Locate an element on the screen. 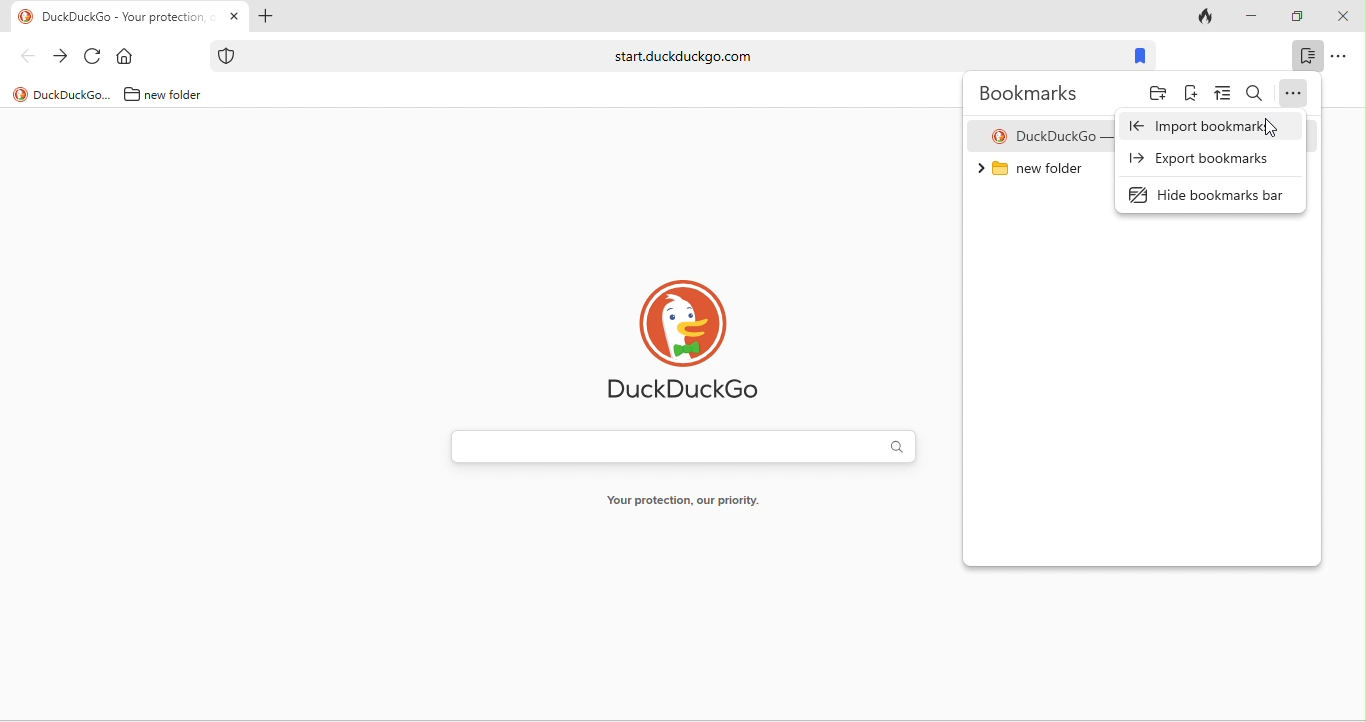  option is located at coordinates (1294, 94).